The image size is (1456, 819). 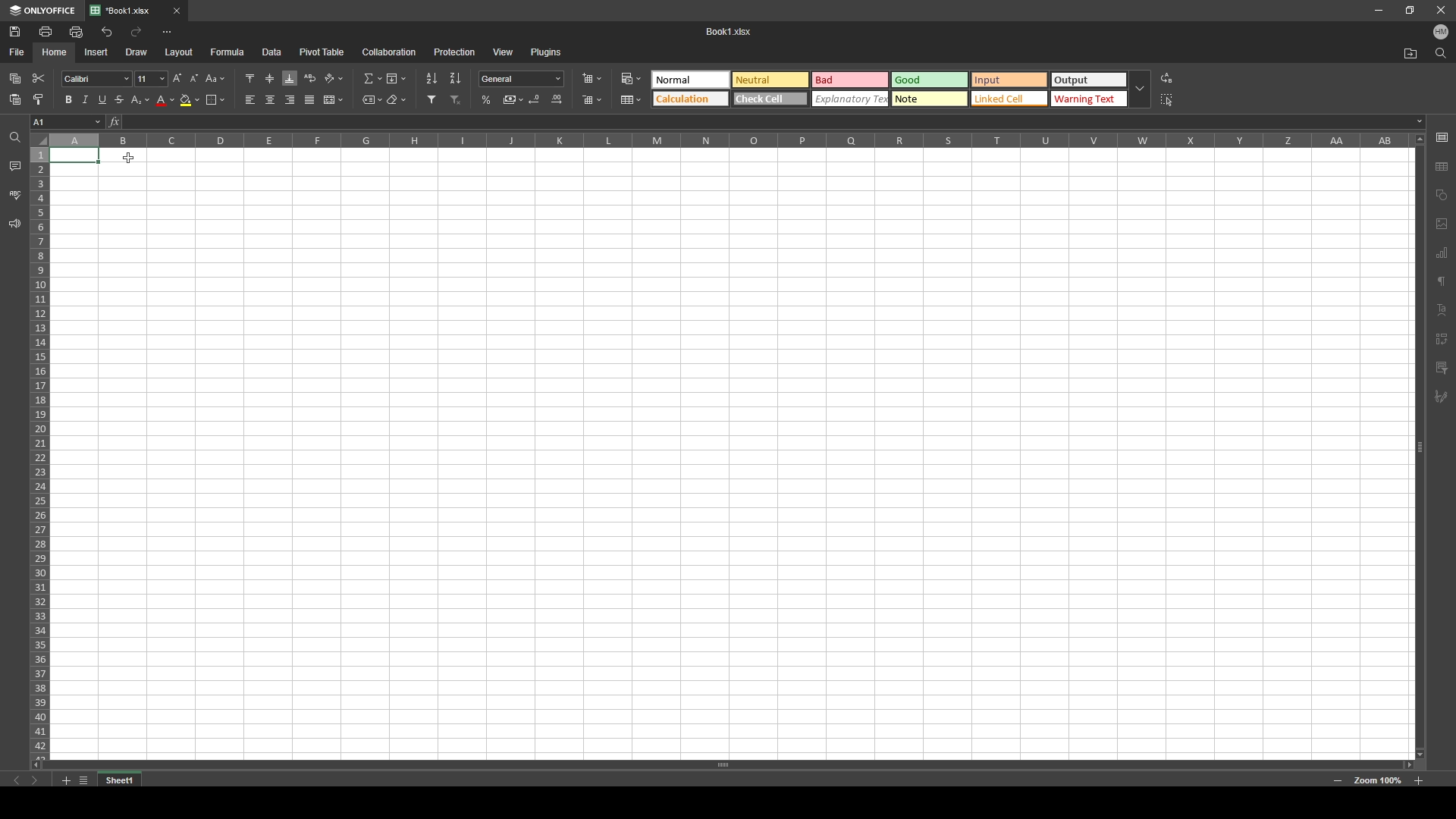 I want to click on Output, so click(x=1088, y=80).